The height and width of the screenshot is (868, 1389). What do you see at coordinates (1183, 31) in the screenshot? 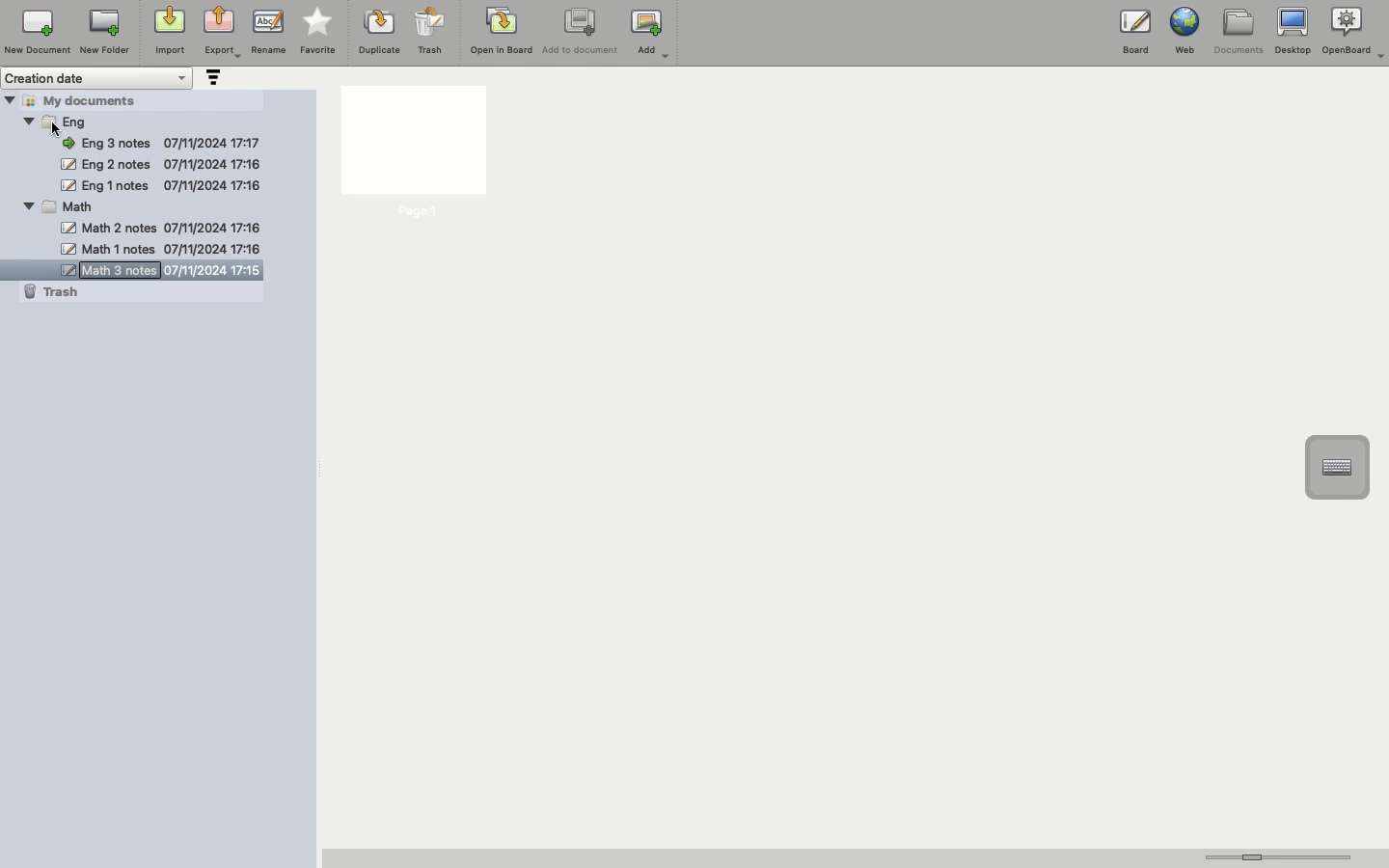
I see `Web` at bounding box center [1183, 31].